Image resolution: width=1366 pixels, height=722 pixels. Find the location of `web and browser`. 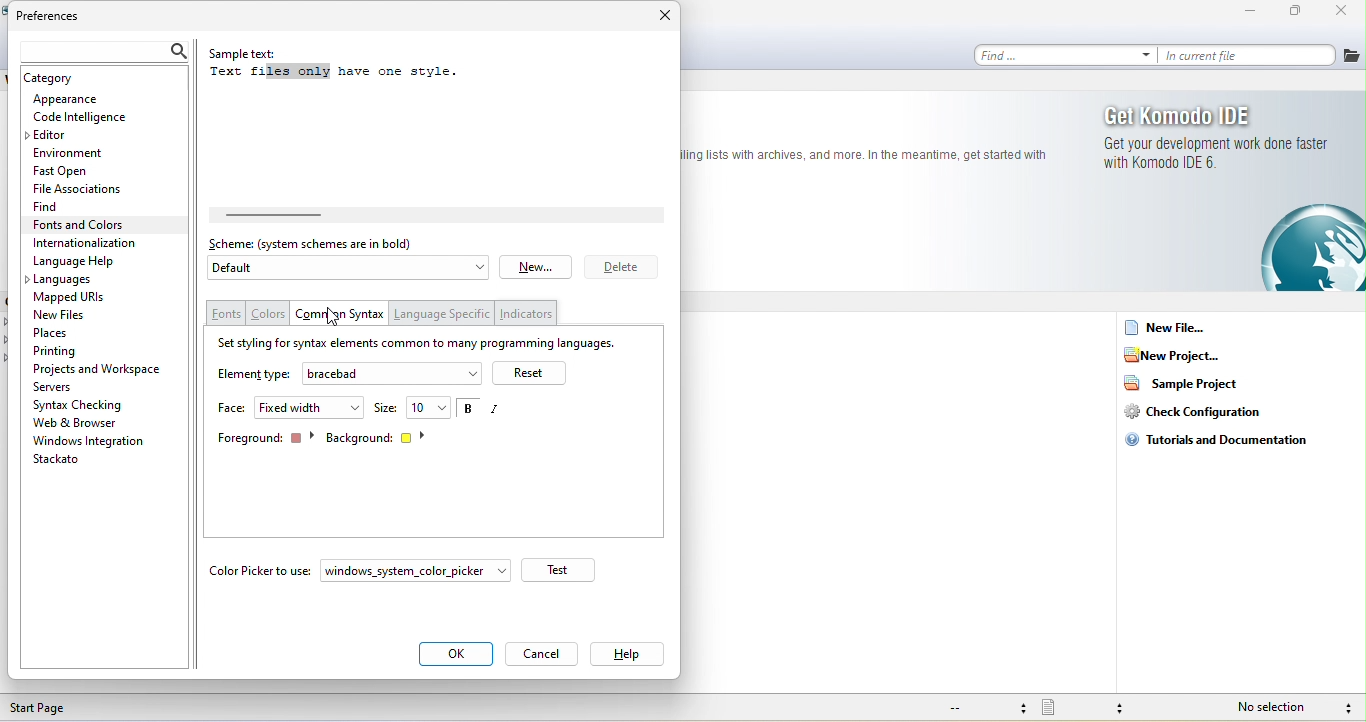

web and browser is located at coordinates (86, 423).